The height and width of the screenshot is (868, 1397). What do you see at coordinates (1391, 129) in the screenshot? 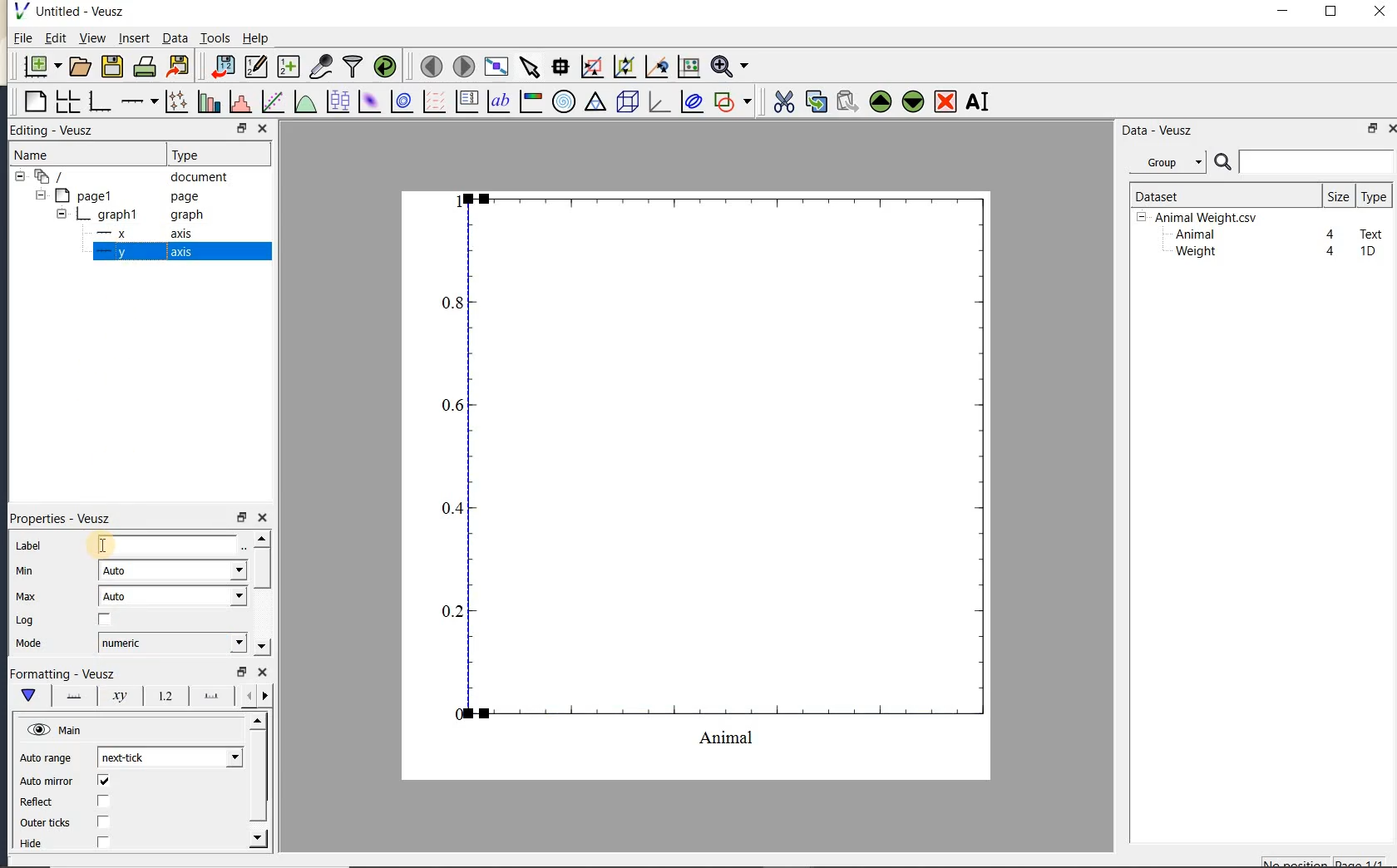
I see `close` at bounding box center [1391, 129].